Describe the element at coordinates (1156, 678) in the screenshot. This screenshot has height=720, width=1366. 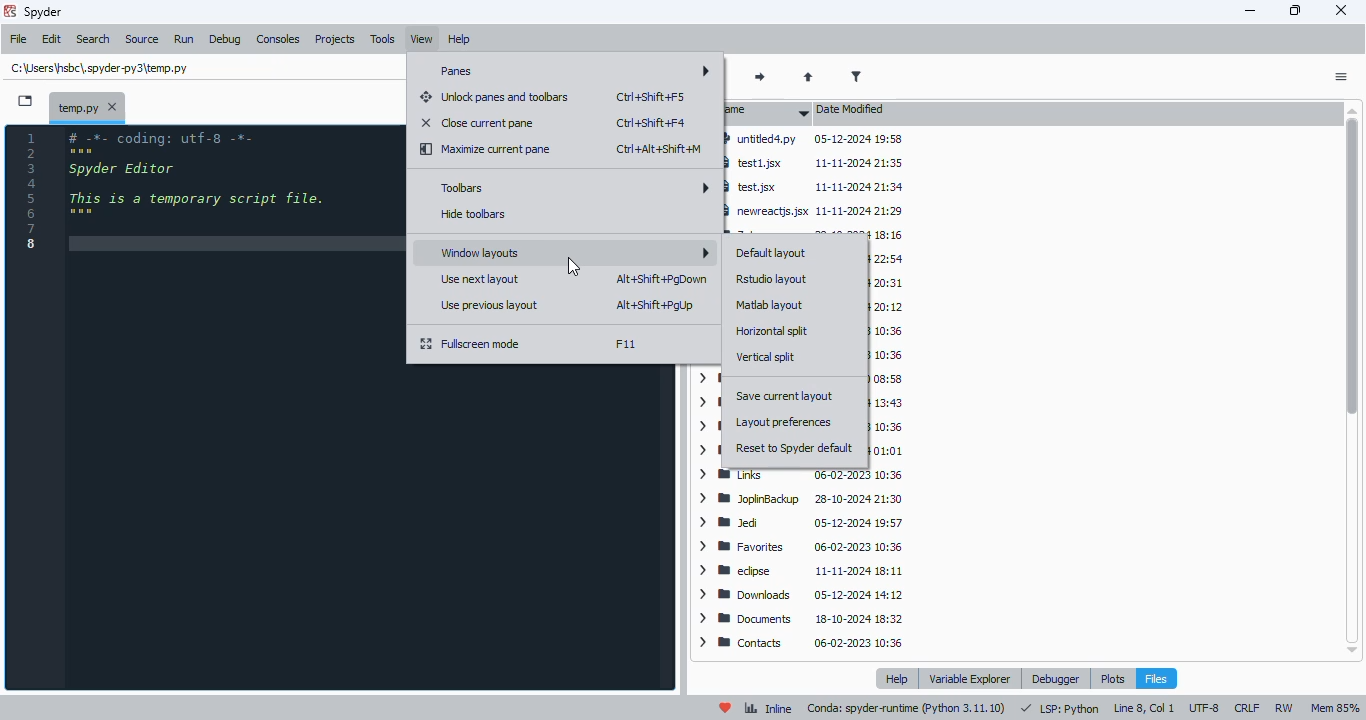
I see `files` at that location.